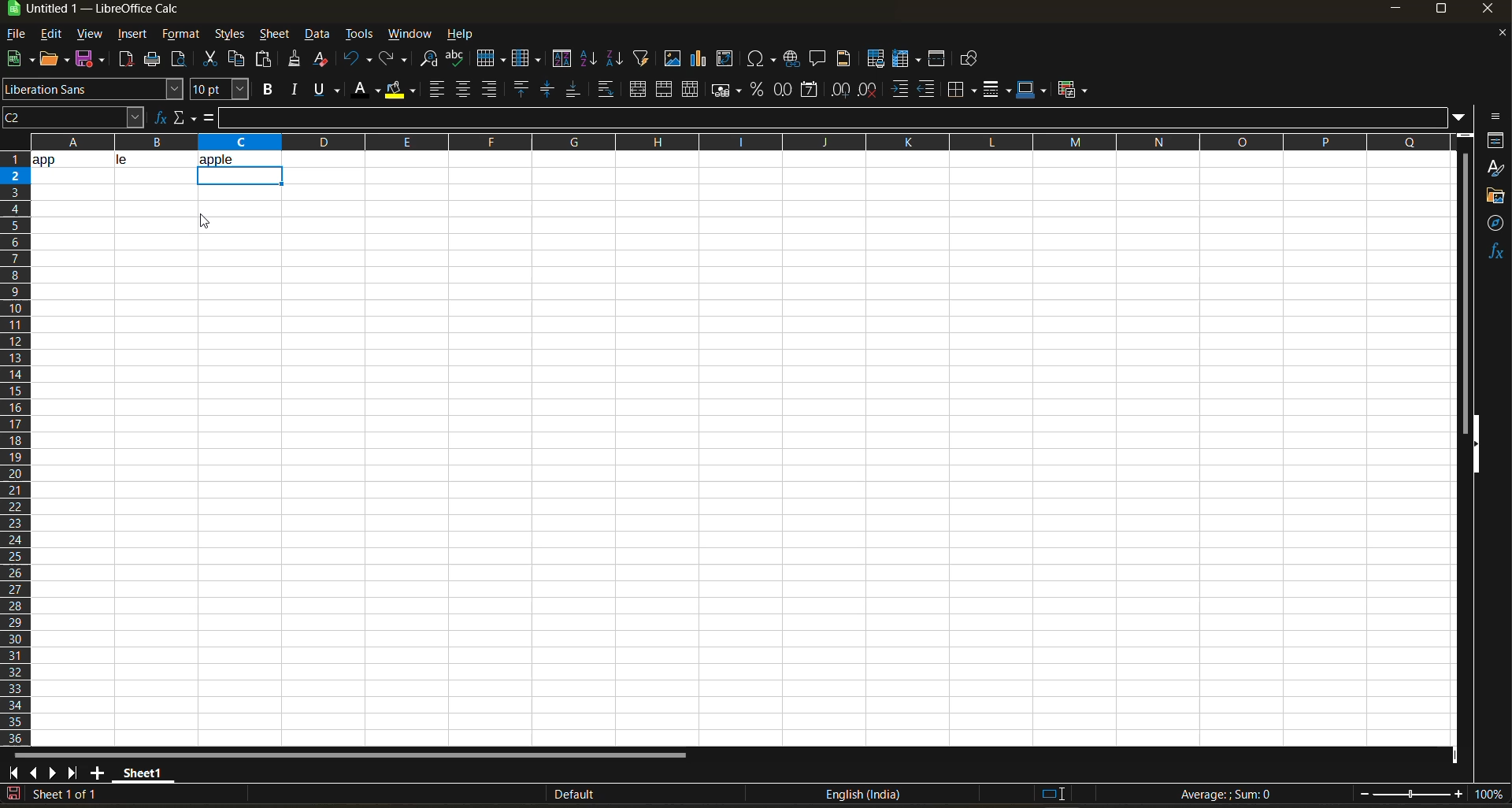  Describe the element at coordinates (56, 60) in the screenshot. I see `open` at that location.